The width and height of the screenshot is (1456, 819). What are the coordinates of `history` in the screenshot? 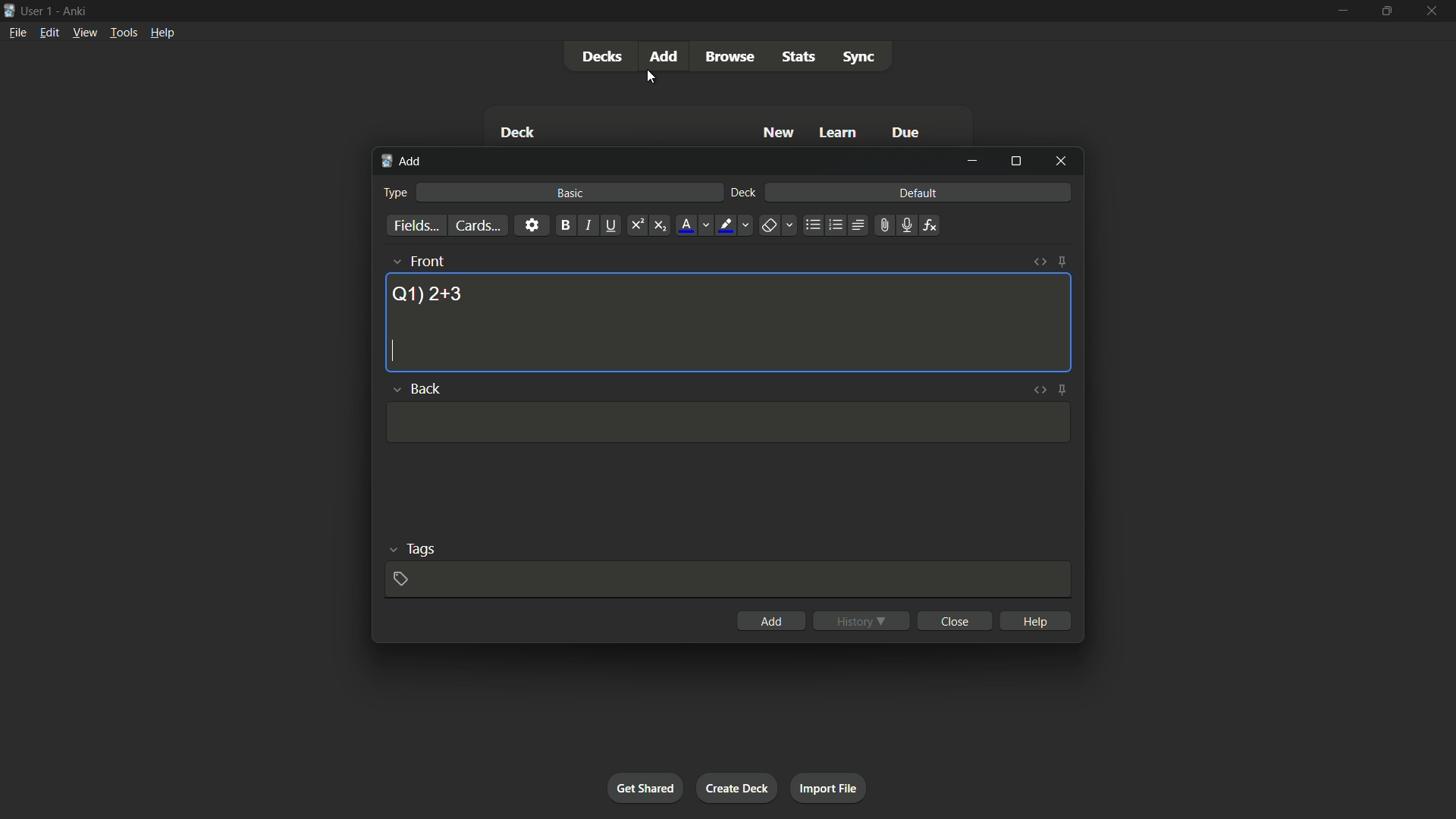 It's located at (861, 621).